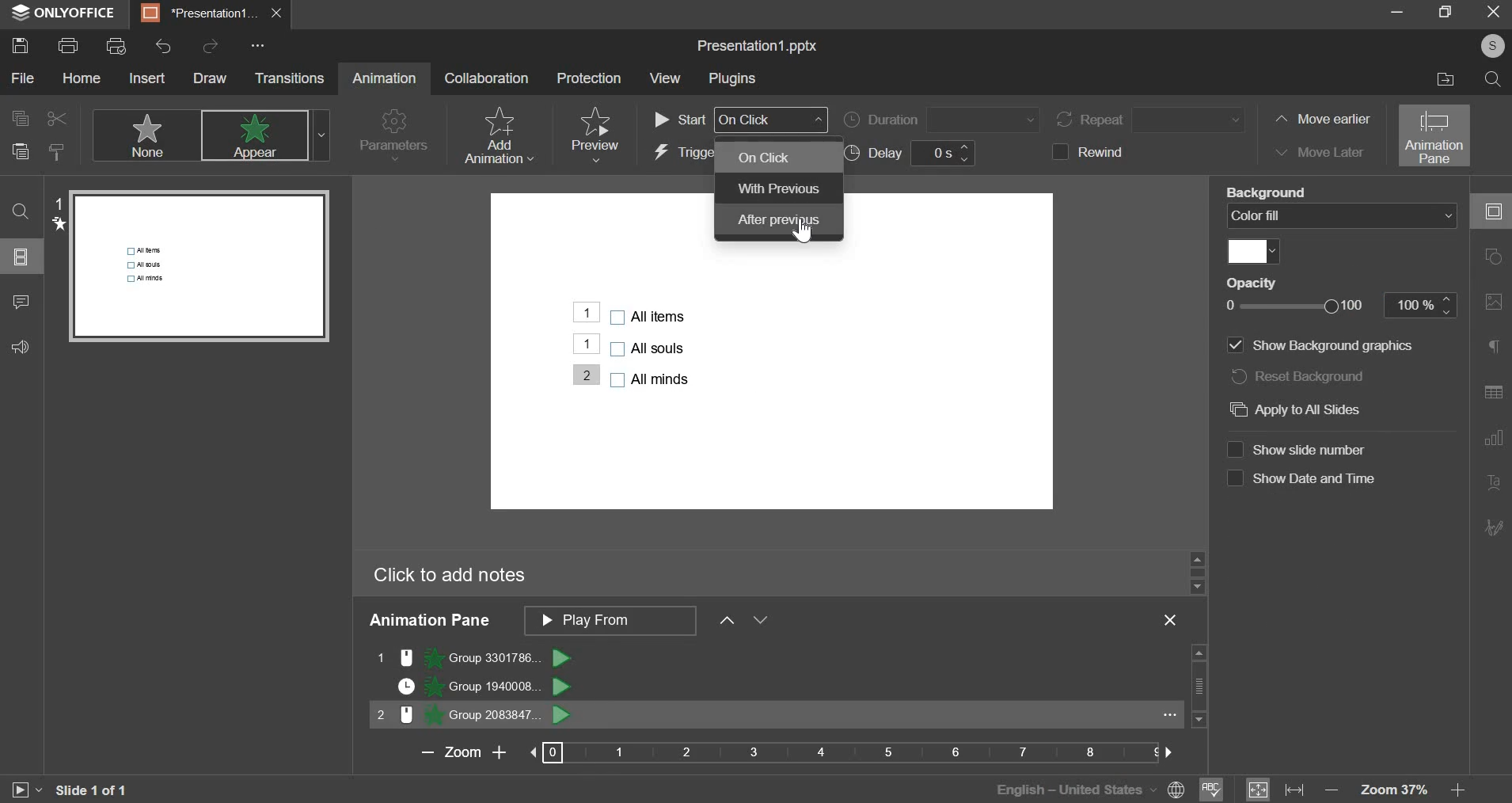 Image resolution: width=1512 pixels, height=803 pixels. What do you see at coordinates (1316, 150) in the screenshot?
I see `move later` at bounding box center [1316, 150].